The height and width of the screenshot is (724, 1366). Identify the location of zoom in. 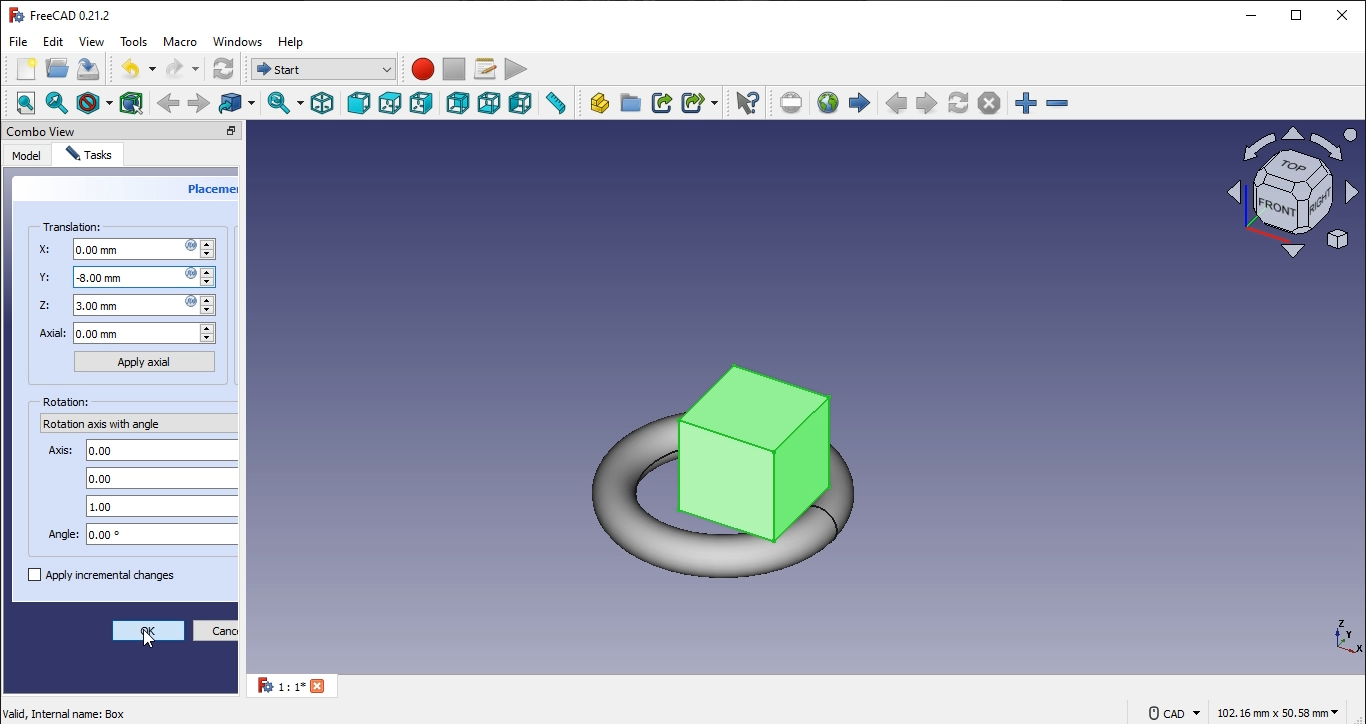
(1057, 102).